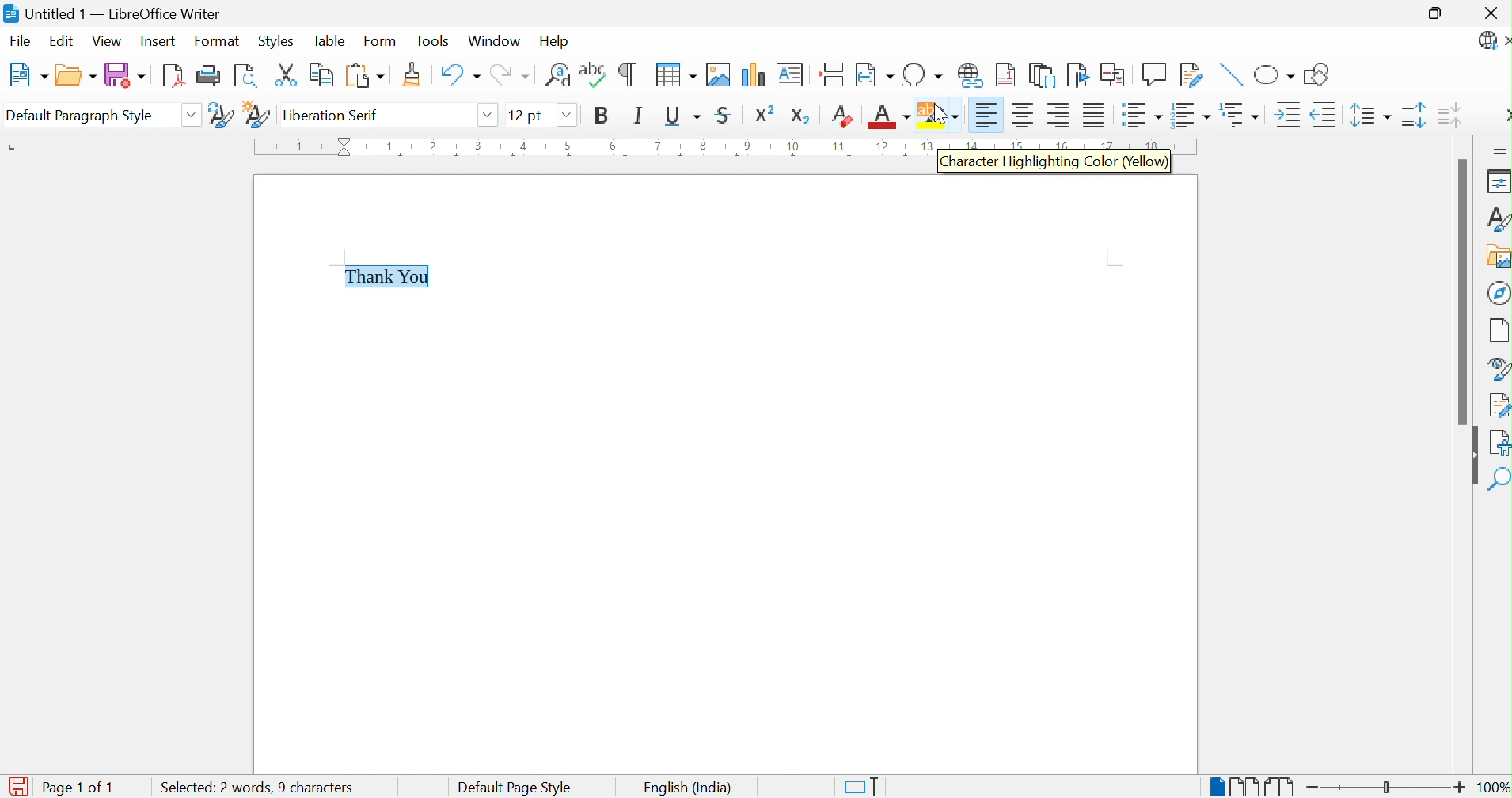 The height and width of the screenshot is (798, 1512). Describe the element at coordinates (674, 74) in the screenshot. I see `Insert Table` at that location.